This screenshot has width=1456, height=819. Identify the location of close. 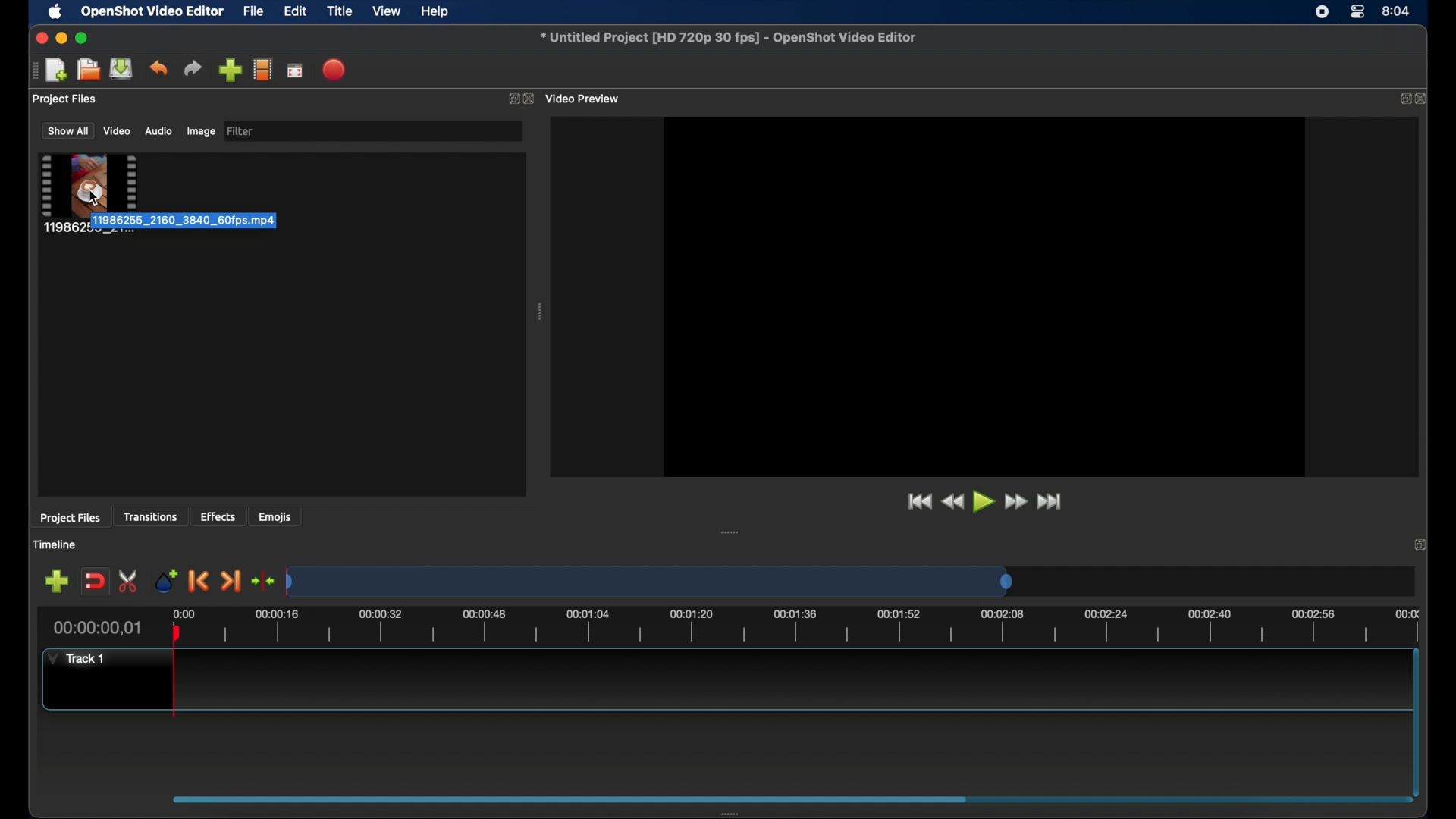
(41, 39).